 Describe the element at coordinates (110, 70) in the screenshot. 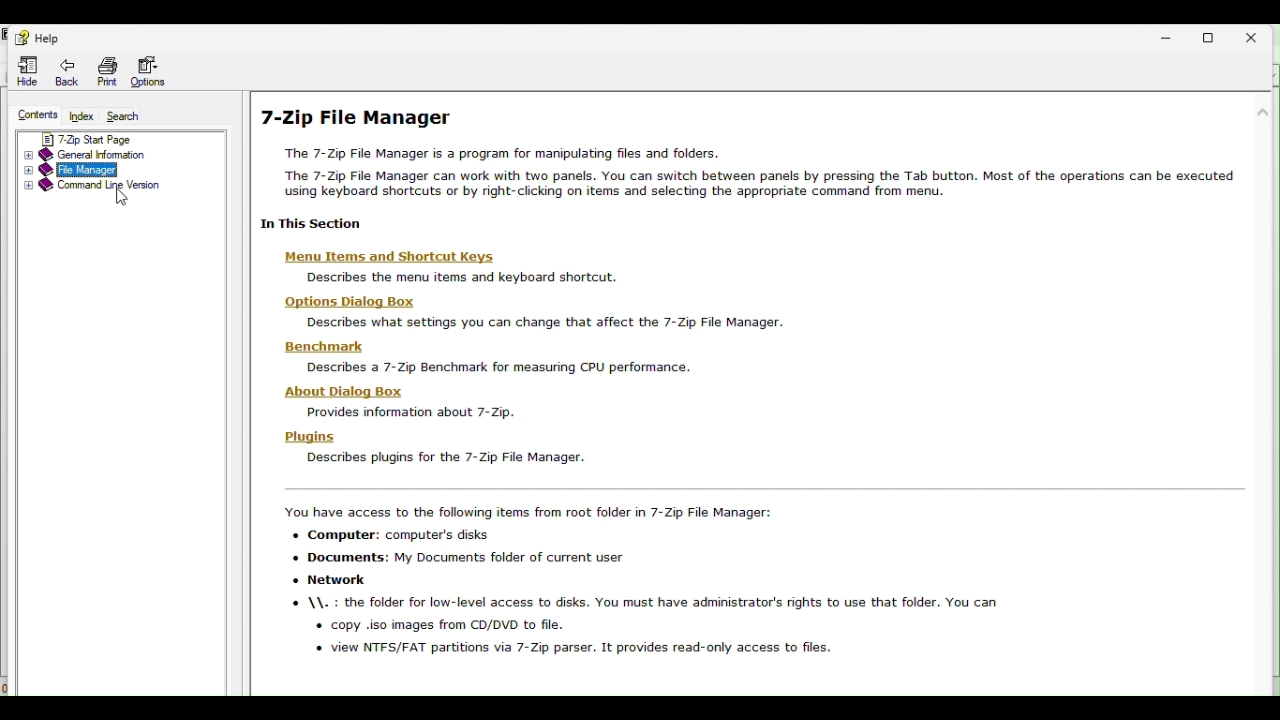

I see `Print ` at that location.